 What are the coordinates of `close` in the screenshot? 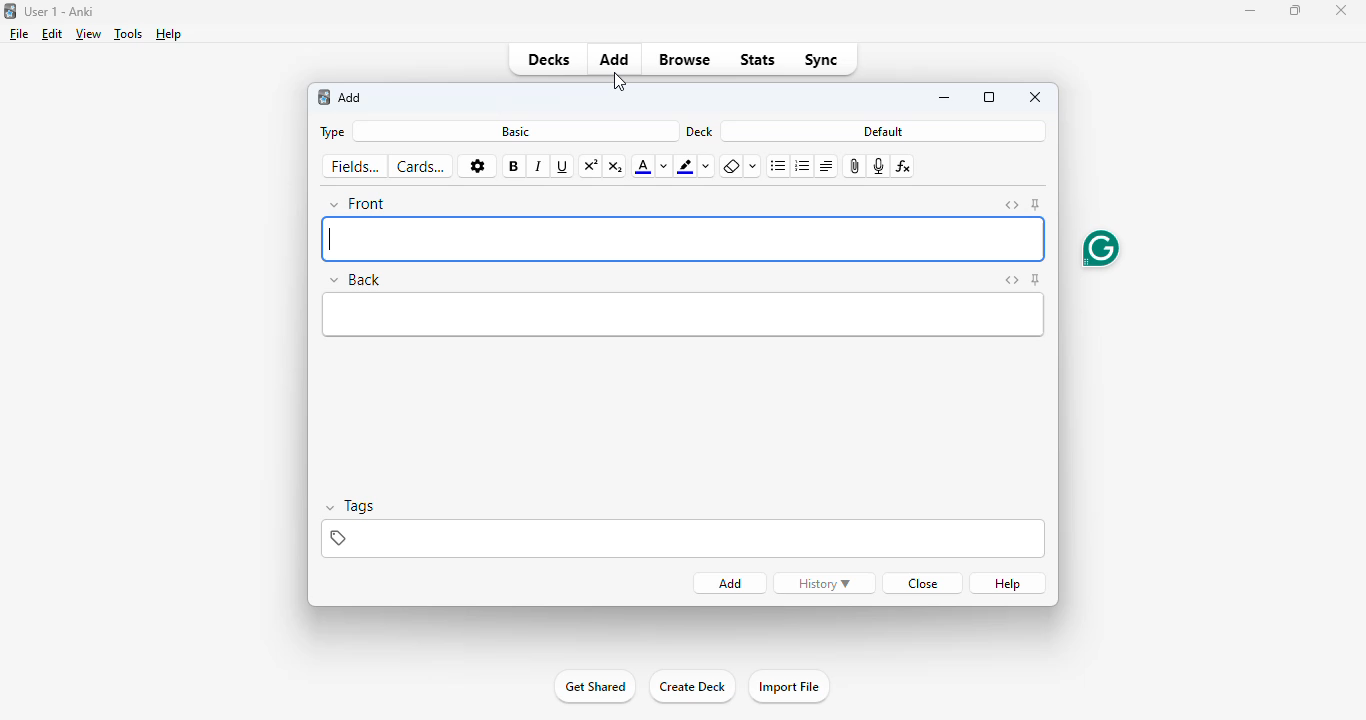 It's located at (1036, 96).